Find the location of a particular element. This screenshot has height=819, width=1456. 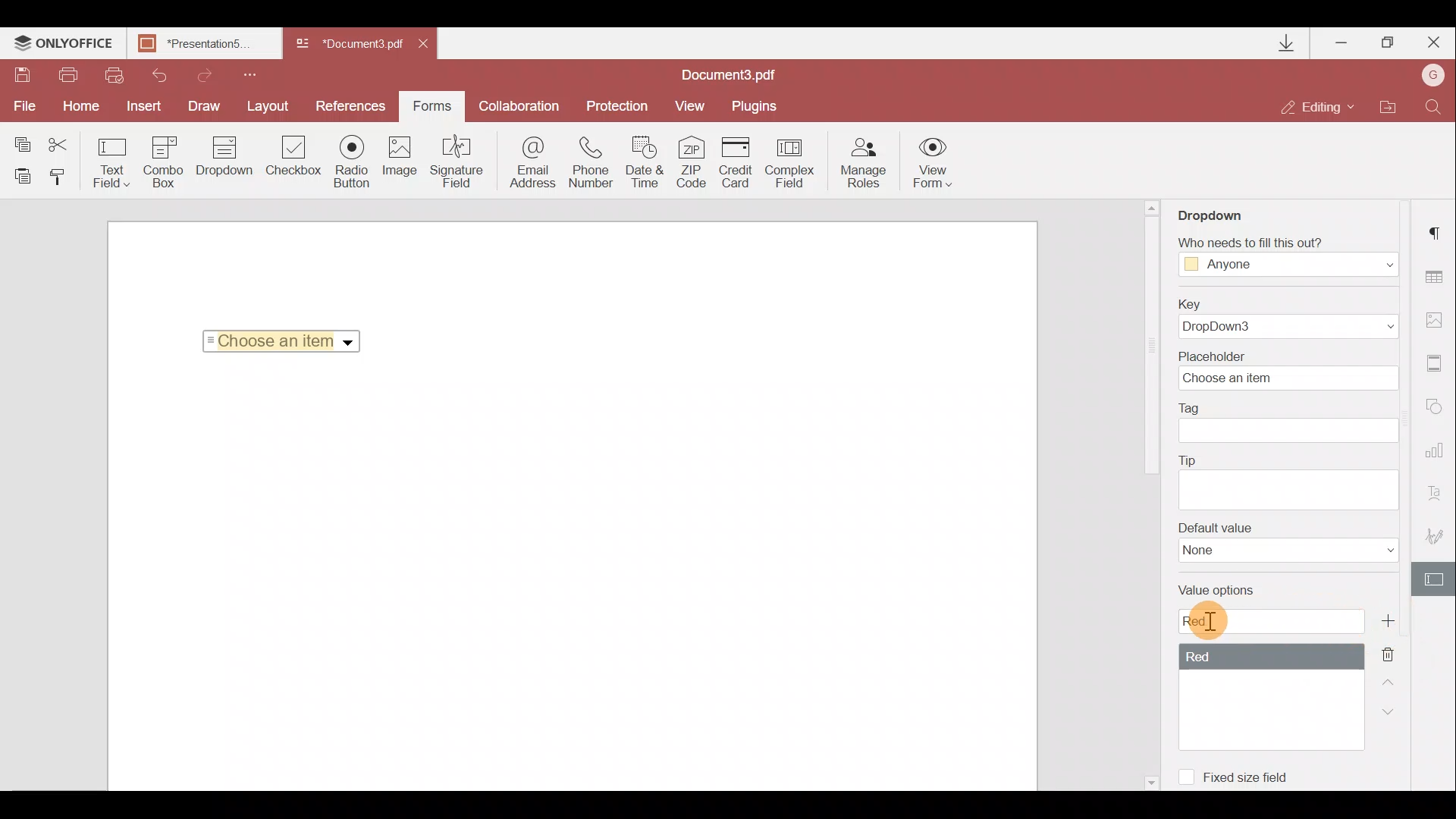

Chart settings is located at coordinates (1438, 450).